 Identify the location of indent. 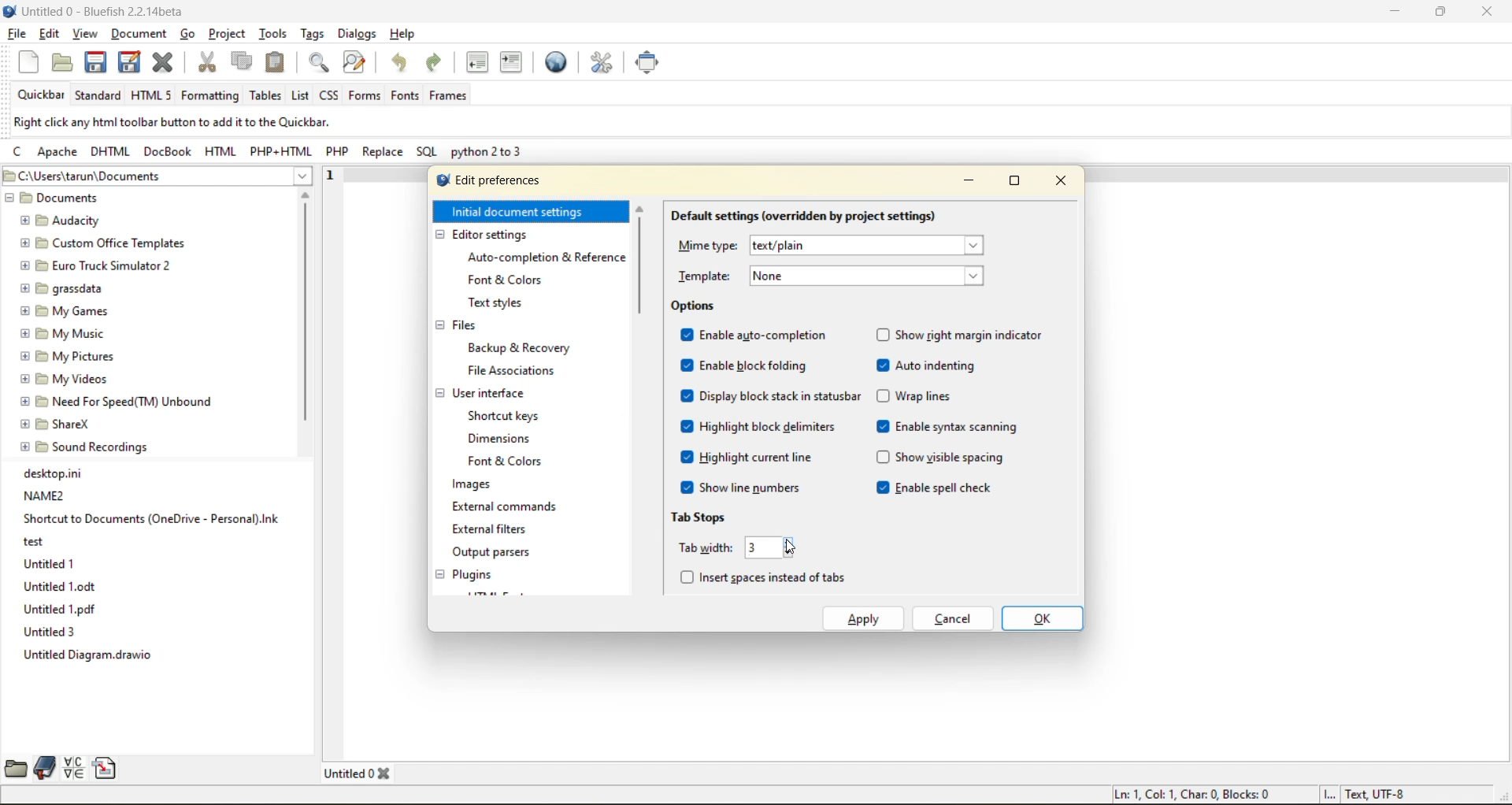
(513, 65).